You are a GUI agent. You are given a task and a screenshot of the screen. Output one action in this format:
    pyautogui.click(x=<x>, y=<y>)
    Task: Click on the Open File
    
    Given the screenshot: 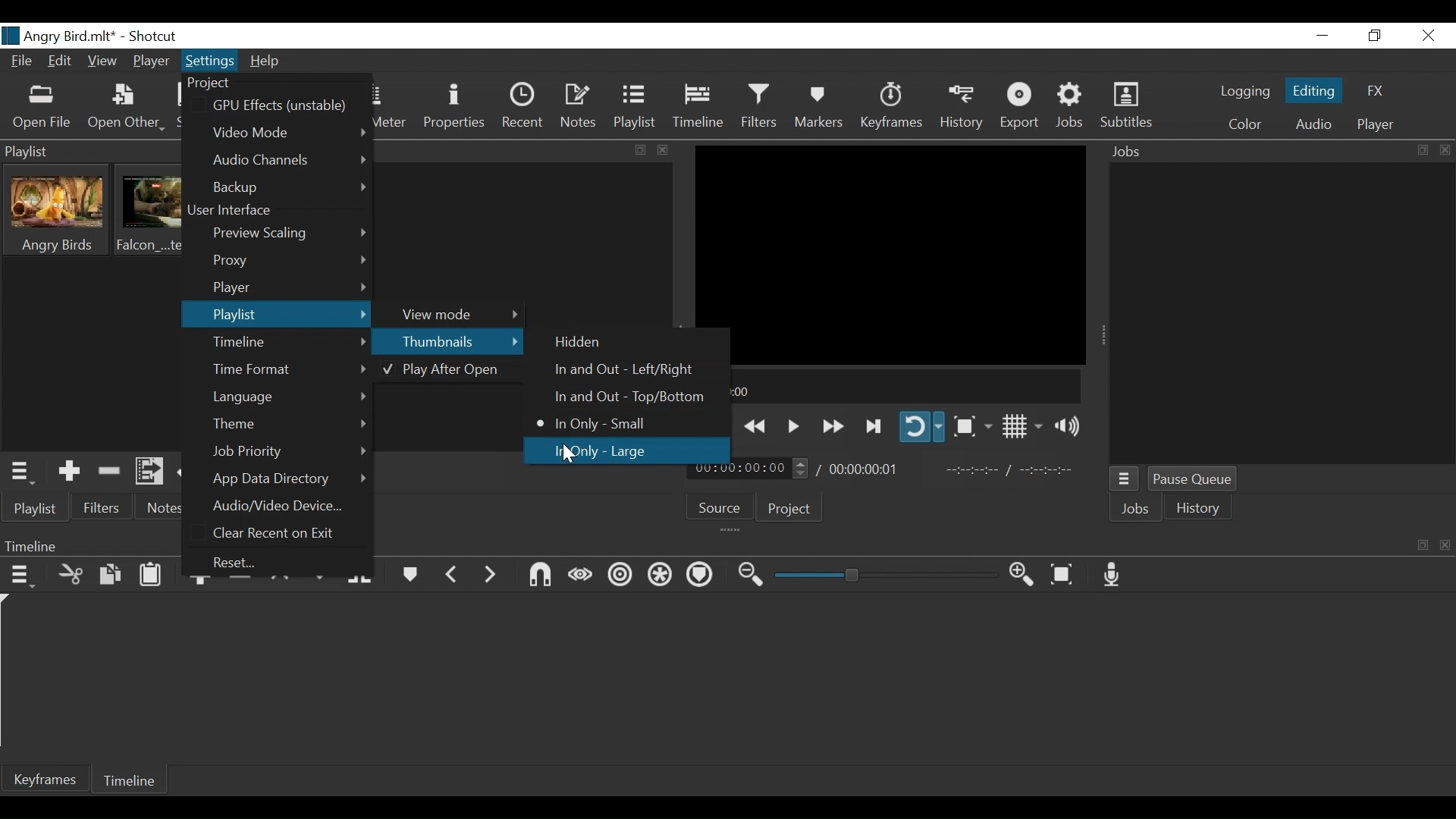 What is the action you would take?
    pyautogui.click(x=43, y=108)
    